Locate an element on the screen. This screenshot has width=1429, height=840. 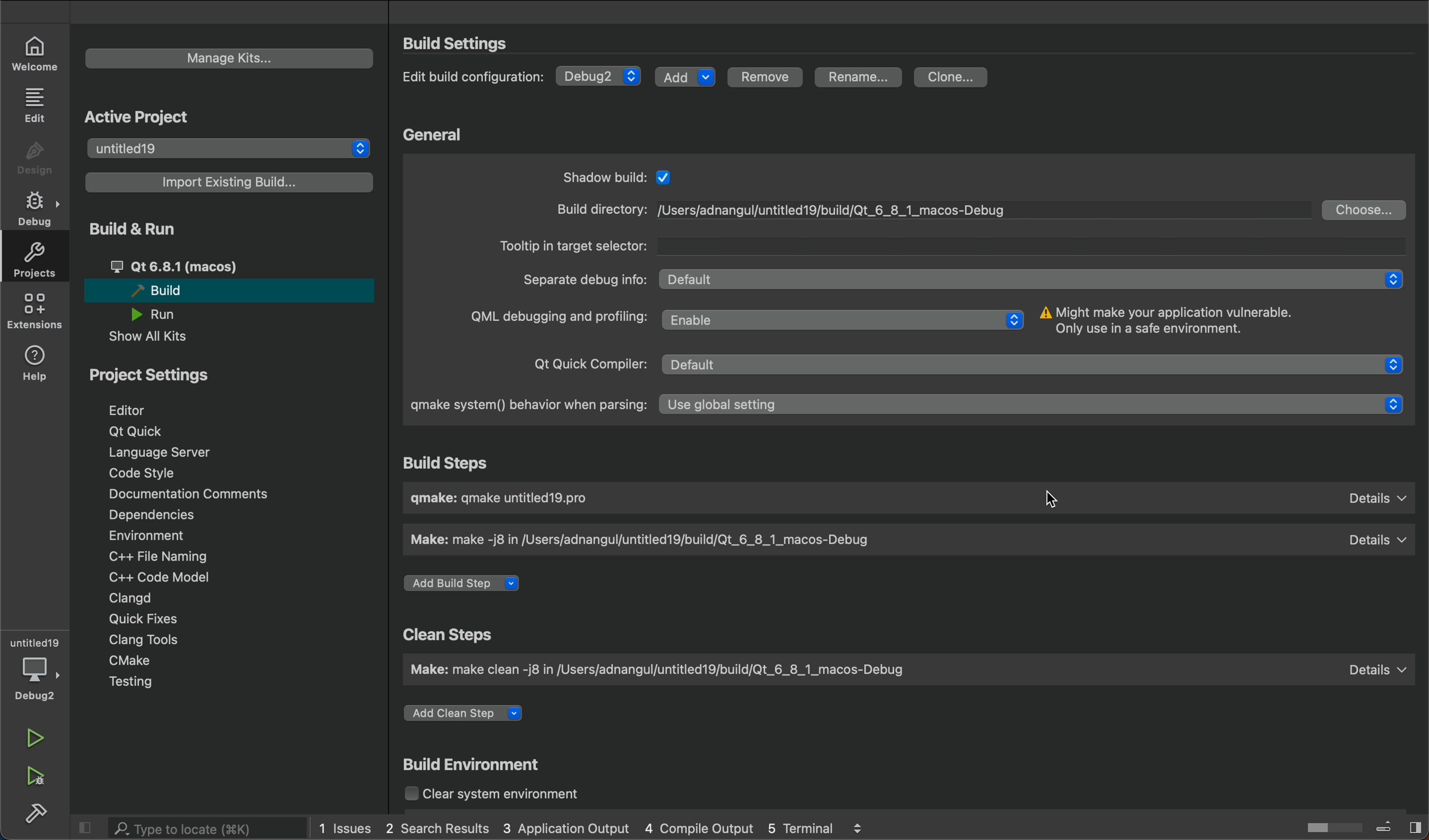
run is located at coordinates (38, 739).